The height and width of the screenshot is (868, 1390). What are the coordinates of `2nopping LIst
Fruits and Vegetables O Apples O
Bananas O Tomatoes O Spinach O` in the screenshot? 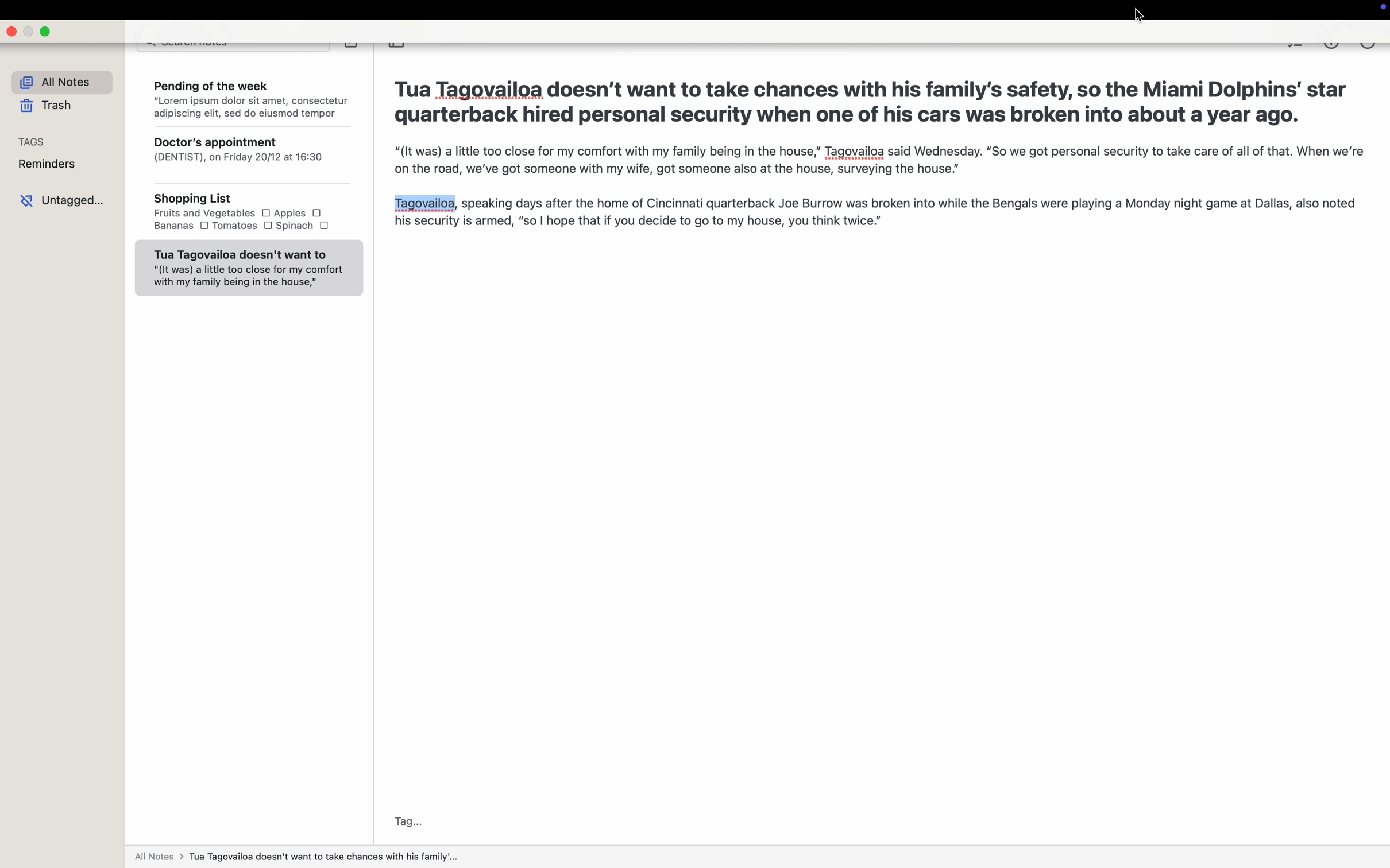 It's located at (247, 214).